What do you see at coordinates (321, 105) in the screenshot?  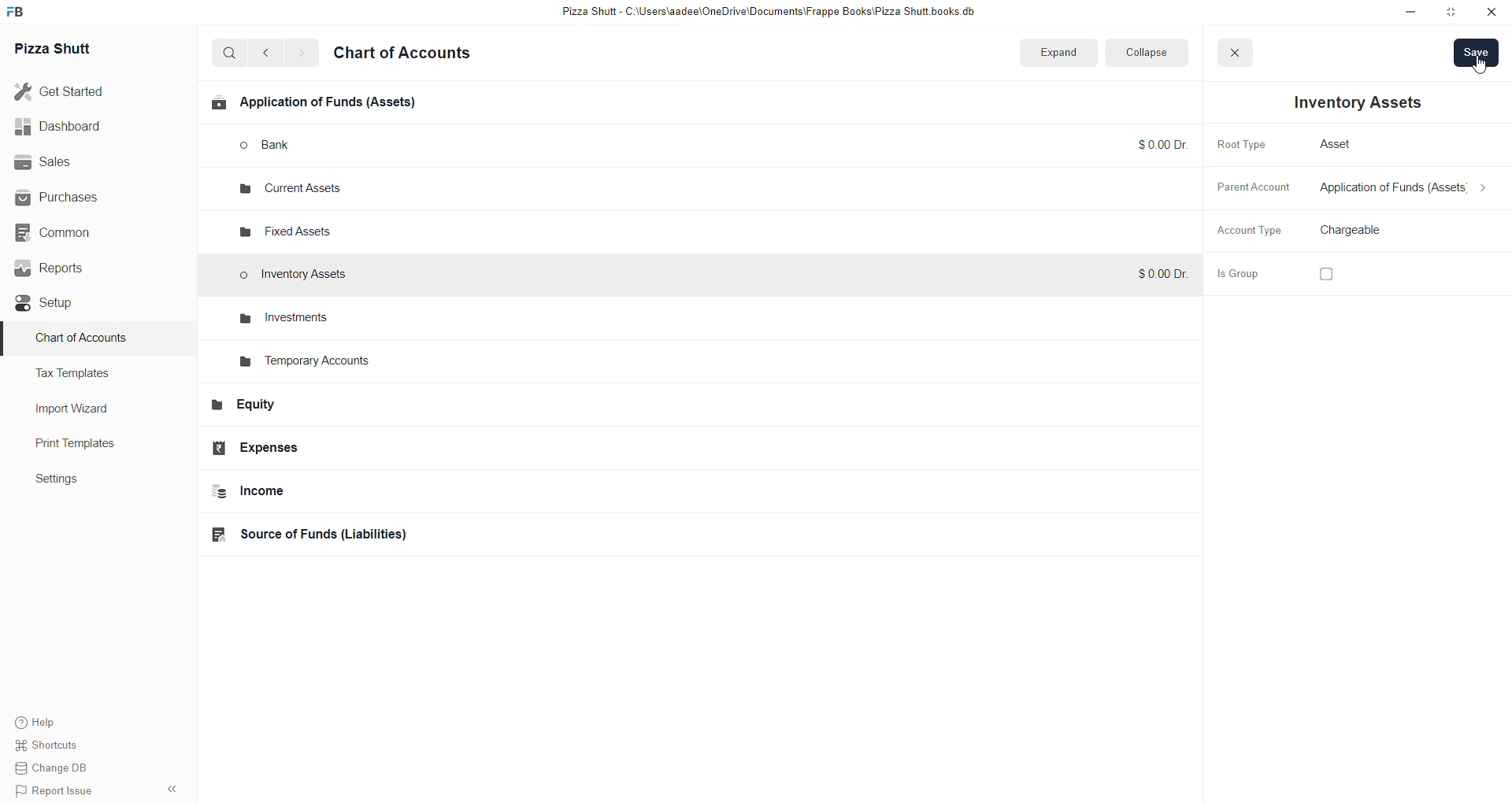 I see `Applications of funds(Assets)` at bounding box center [321, 105].